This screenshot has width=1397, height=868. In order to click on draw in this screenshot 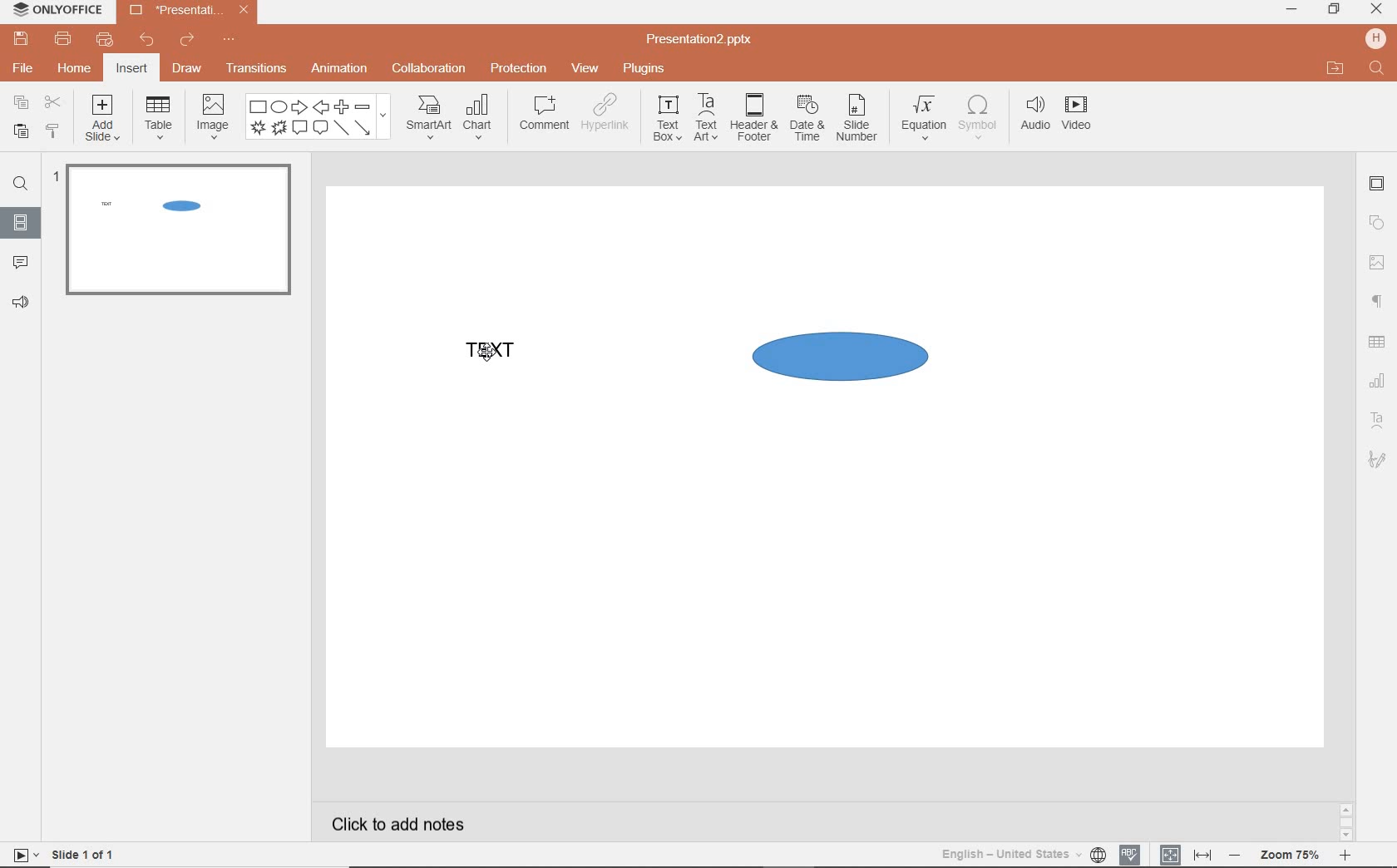, I will do `click(190, 68)`.